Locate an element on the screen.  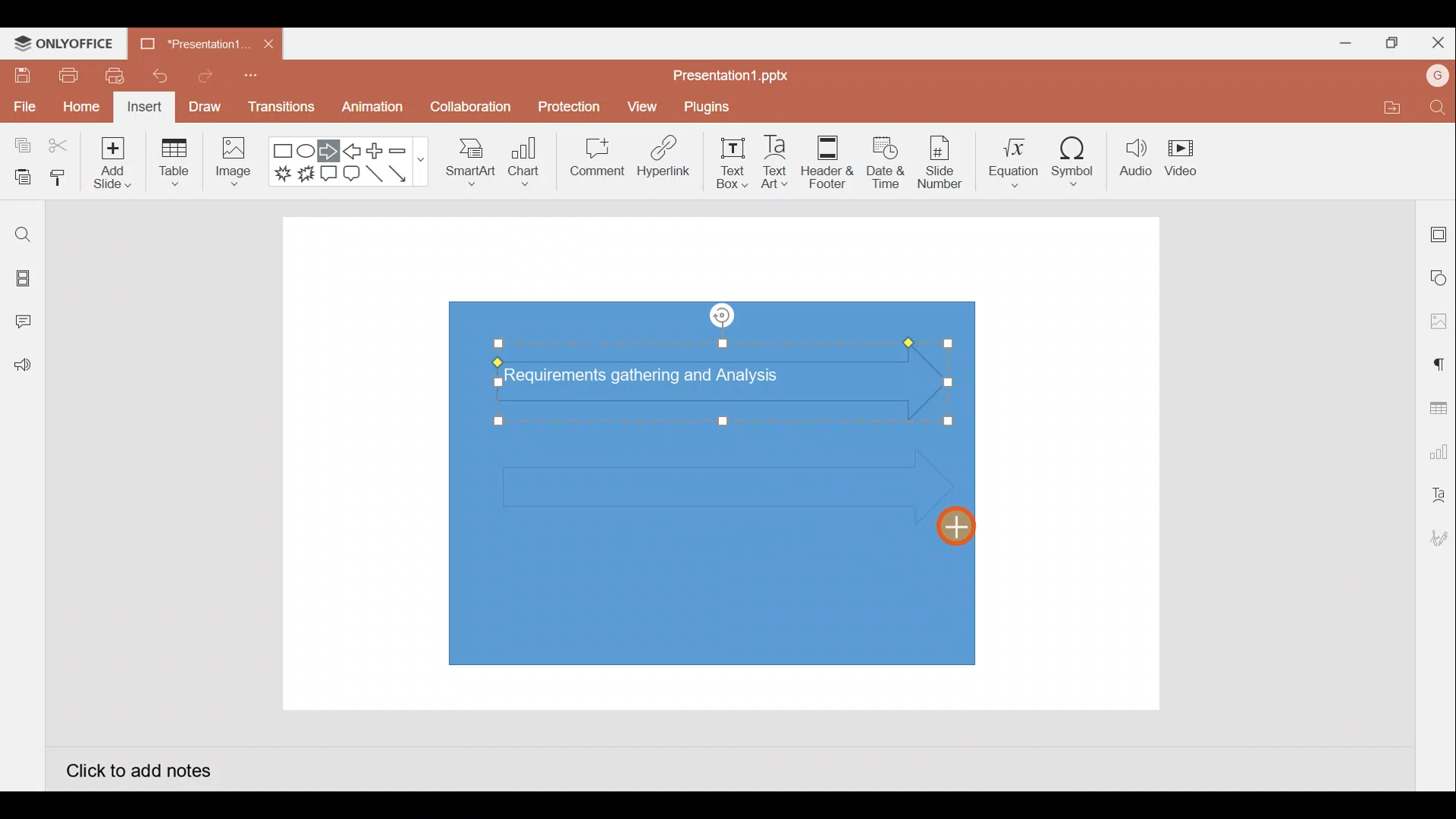
Date & time is located at coordinates (886, 162).